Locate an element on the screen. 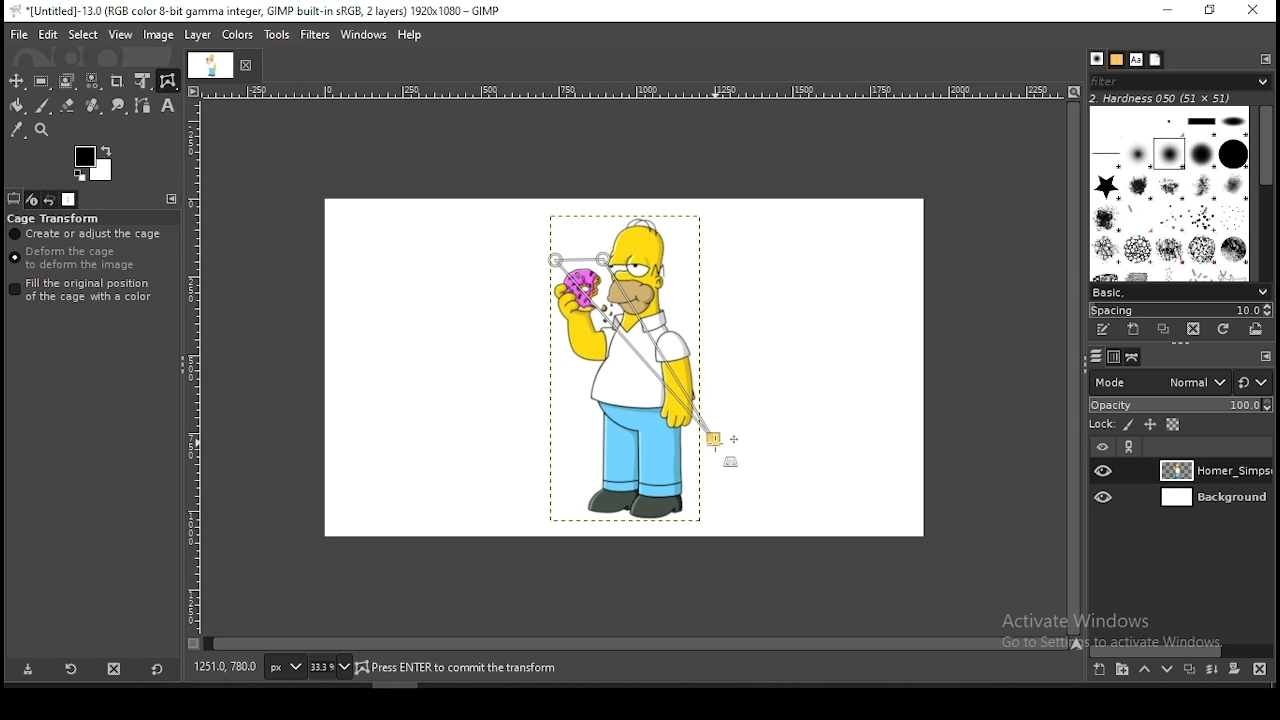 This screenshot has height=720, width=1280. 735.0, 195.0 is located at coordinates (225, 665).